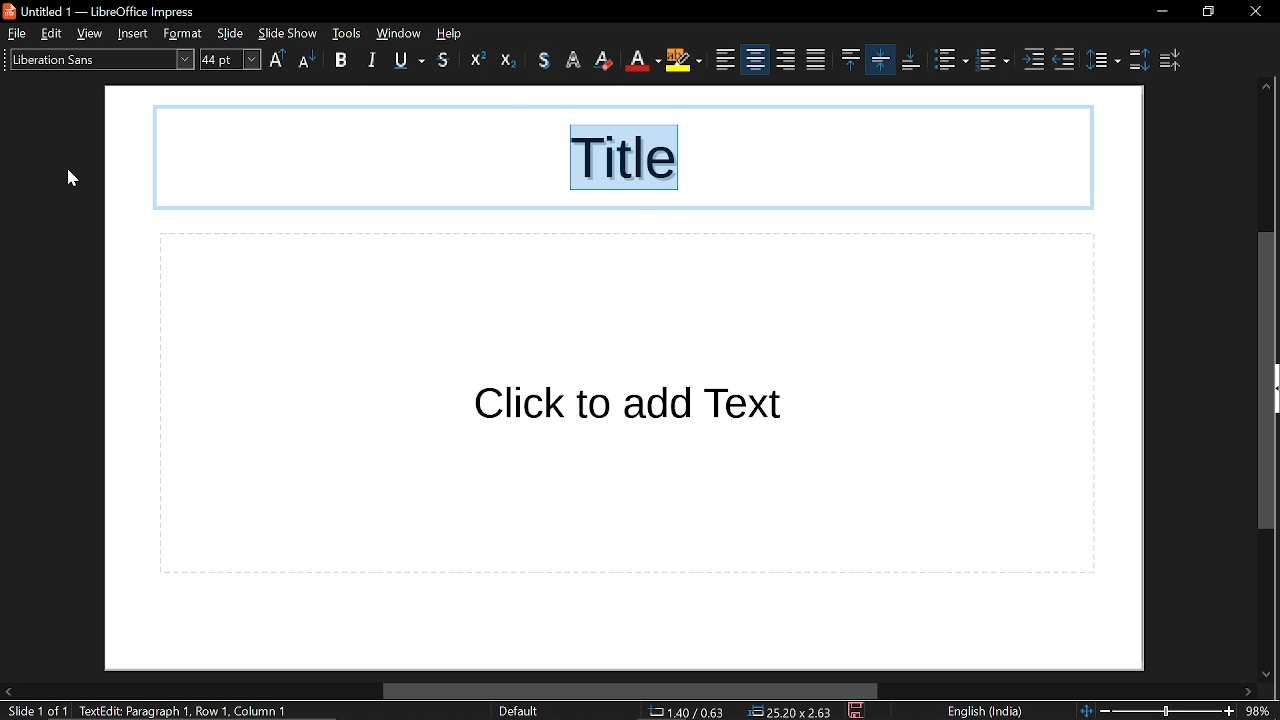 The image size is (1280, 720). Describe the element at coordinates (814, 60) in the screenshot. I see `align top` at that location.